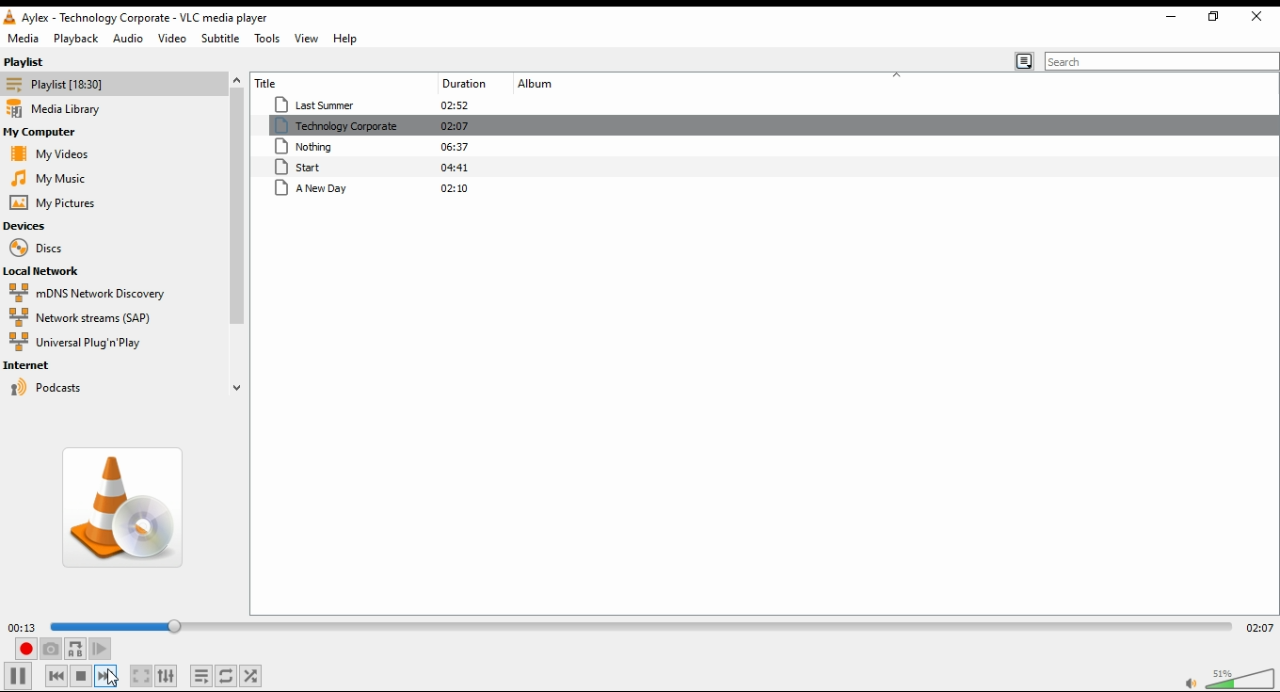  What do you see at coordinates (30, 367) in the screenshot?
I see `internet` at bounding box center [30, 367].